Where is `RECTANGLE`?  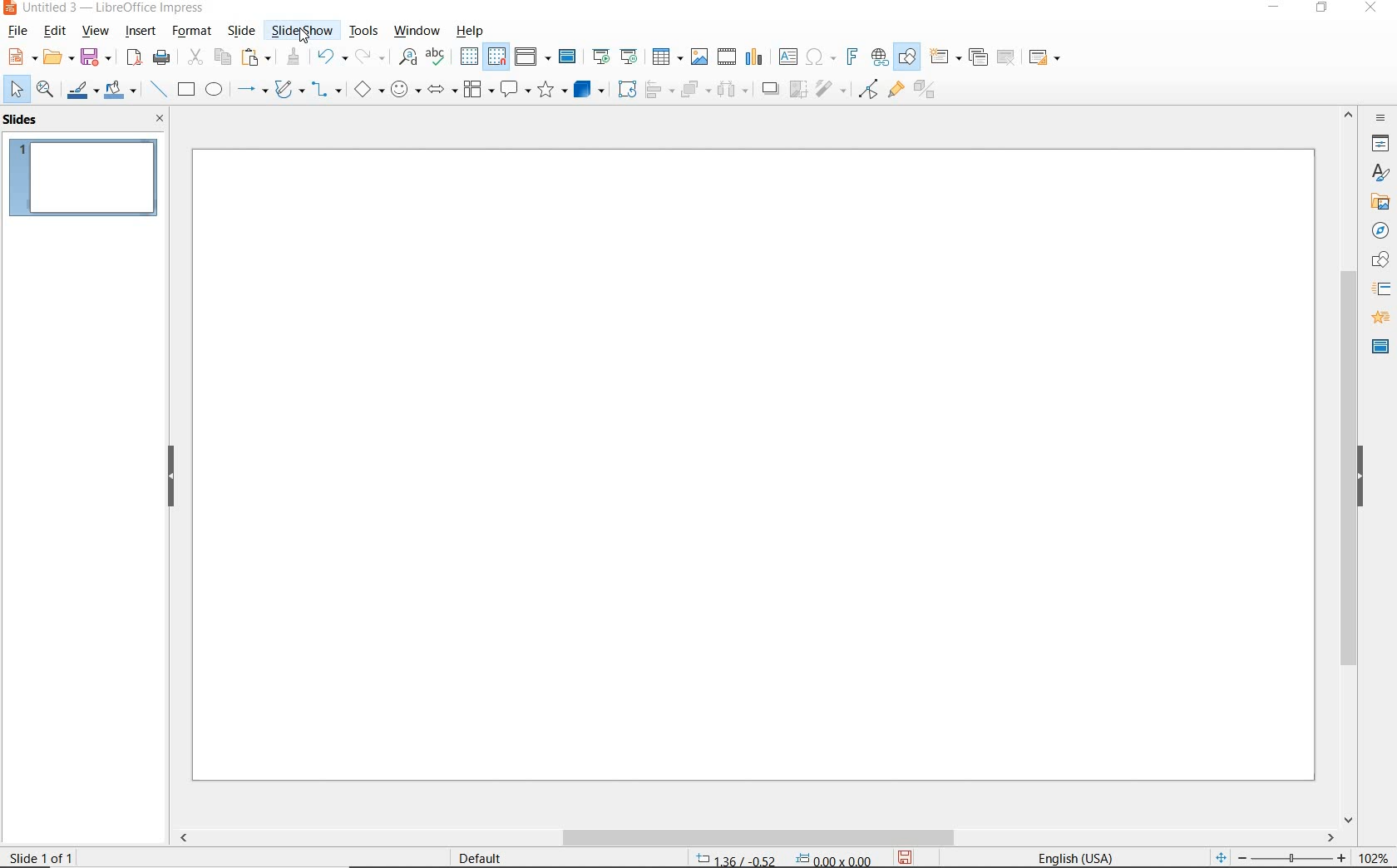 RECTANGLE is located at coordinates (188, 89).